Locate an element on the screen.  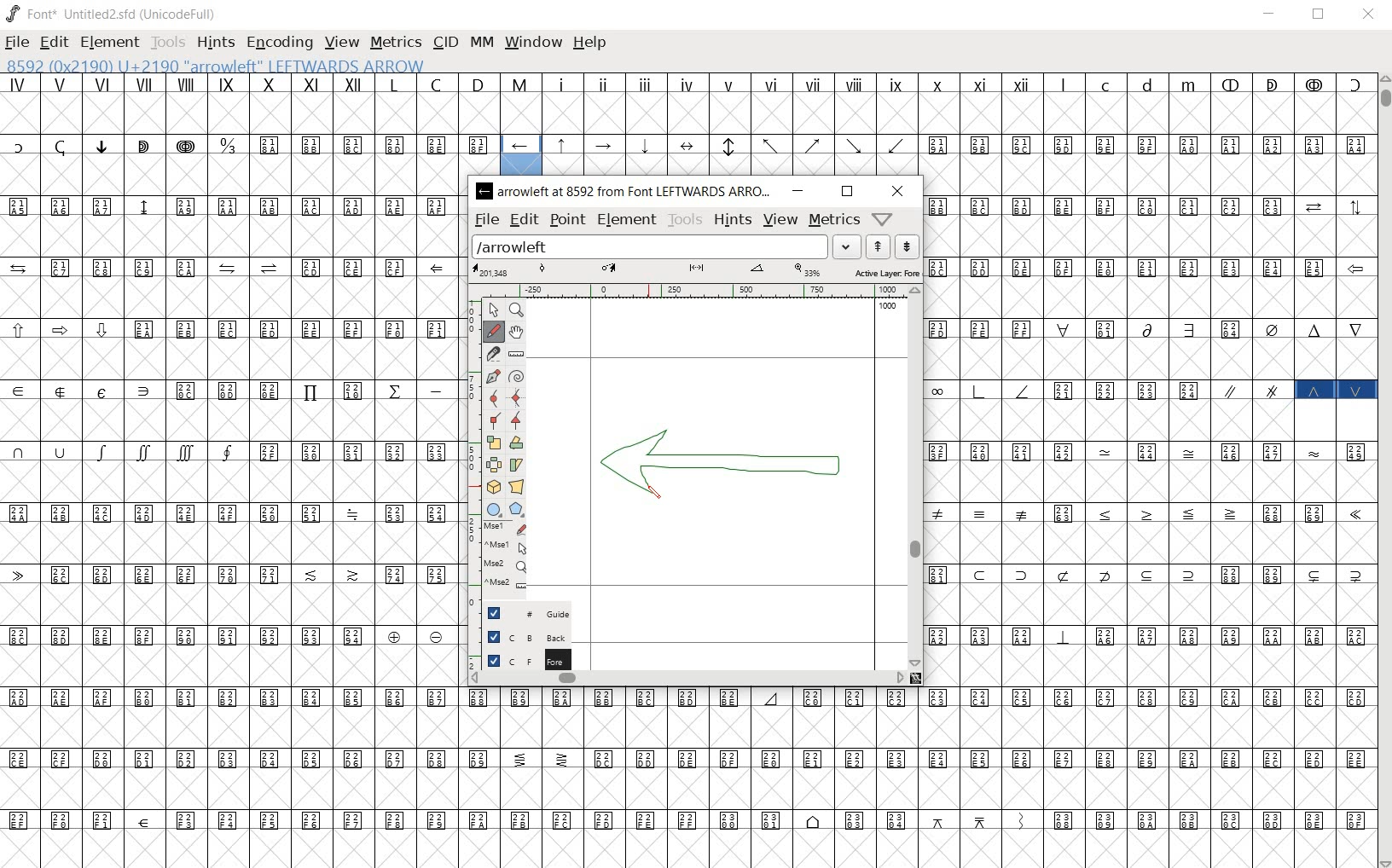
point is located at coordinates (565, 218).